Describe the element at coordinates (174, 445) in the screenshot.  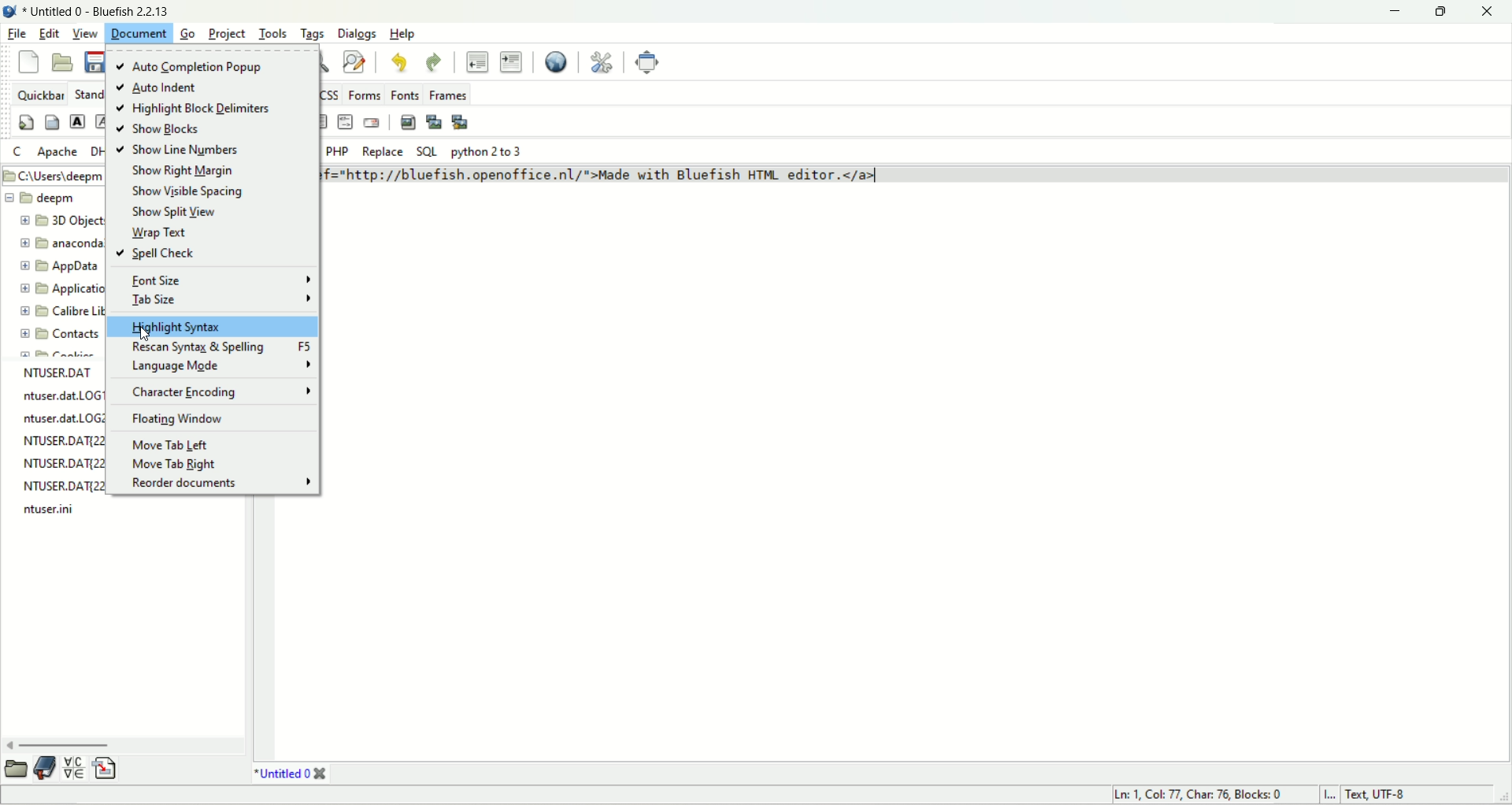
I see `move tab to left` at that location.